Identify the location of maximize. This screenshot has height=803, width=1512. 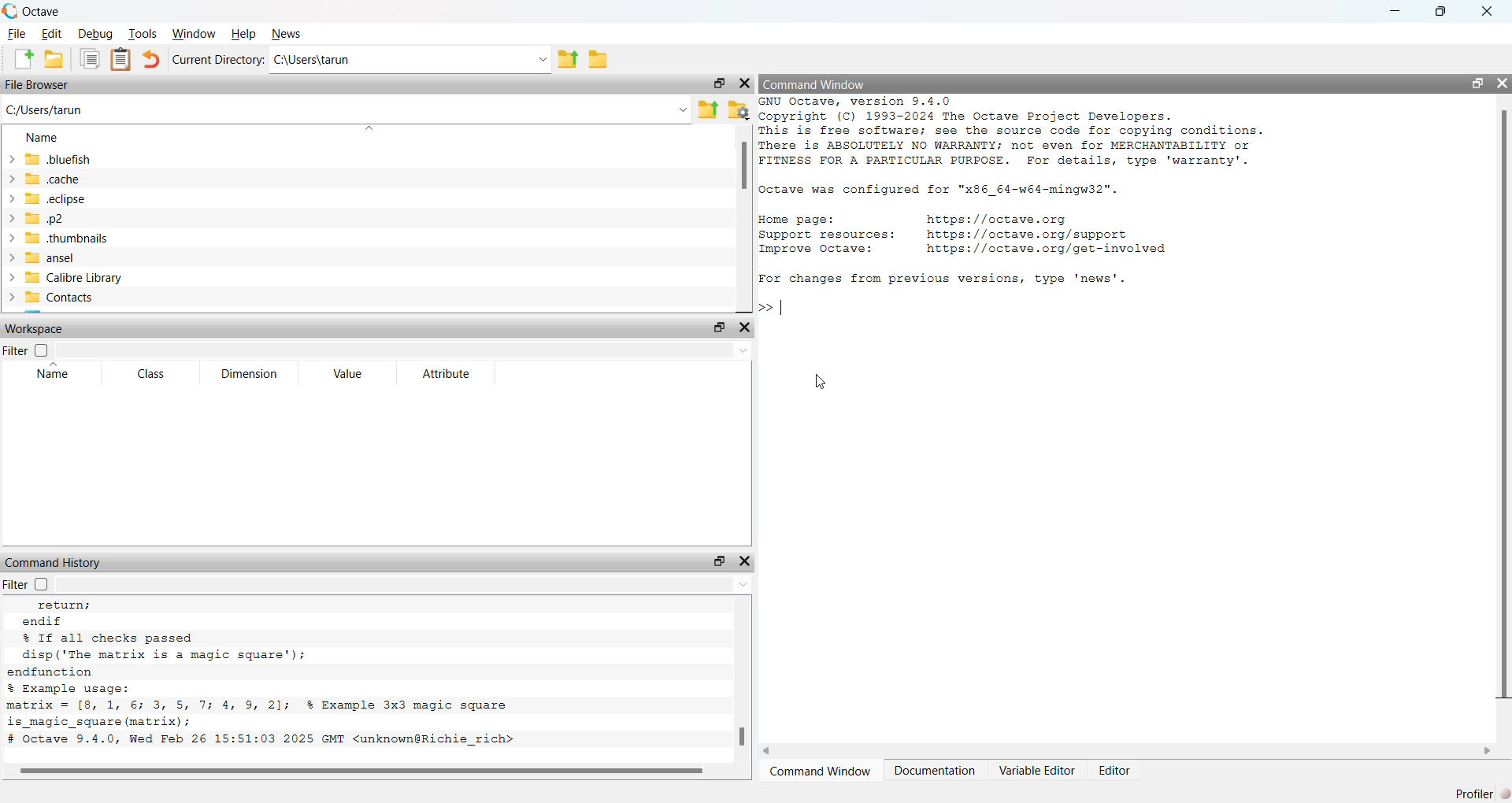
(720, 329).